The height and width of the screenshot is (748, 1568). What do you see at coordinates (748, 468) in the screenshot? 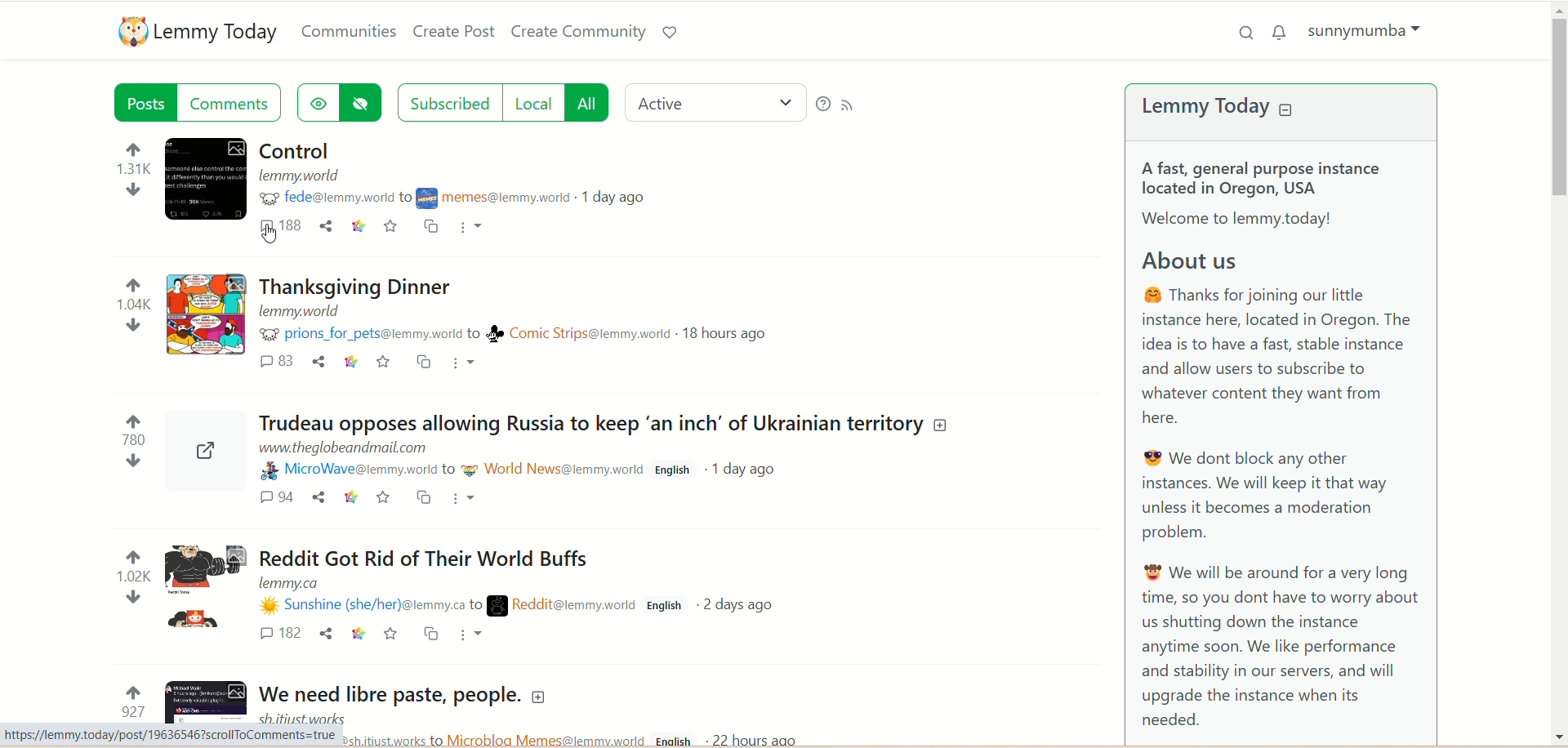
I see `1 day ago` at bounding box center [748, 468].